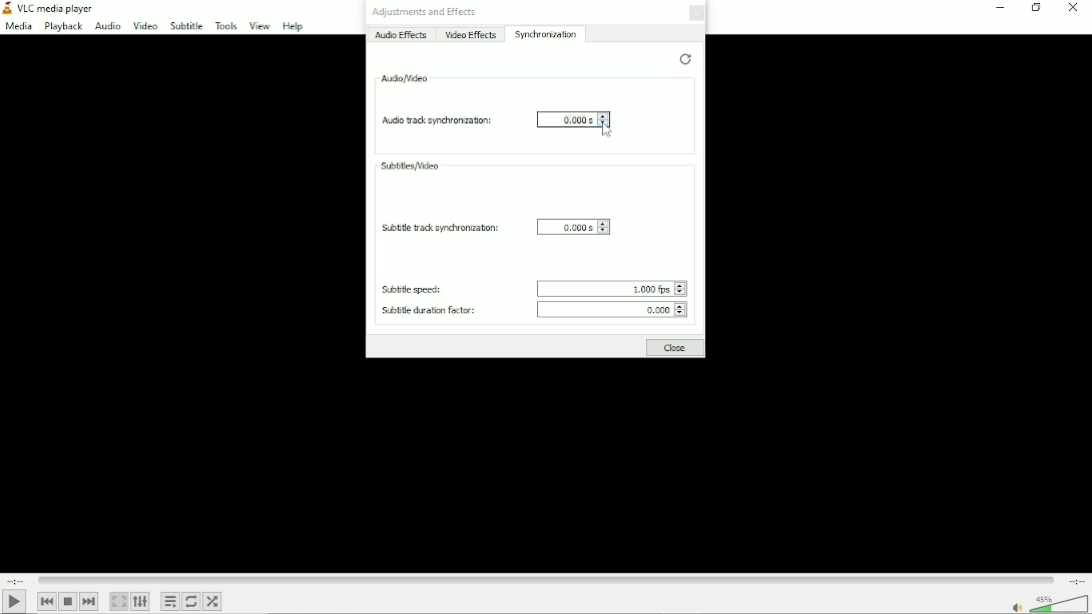  What do you see at coordinates (1049, 604) in the screenshot?
I see `Volume` at bounding box center [1049, 604].